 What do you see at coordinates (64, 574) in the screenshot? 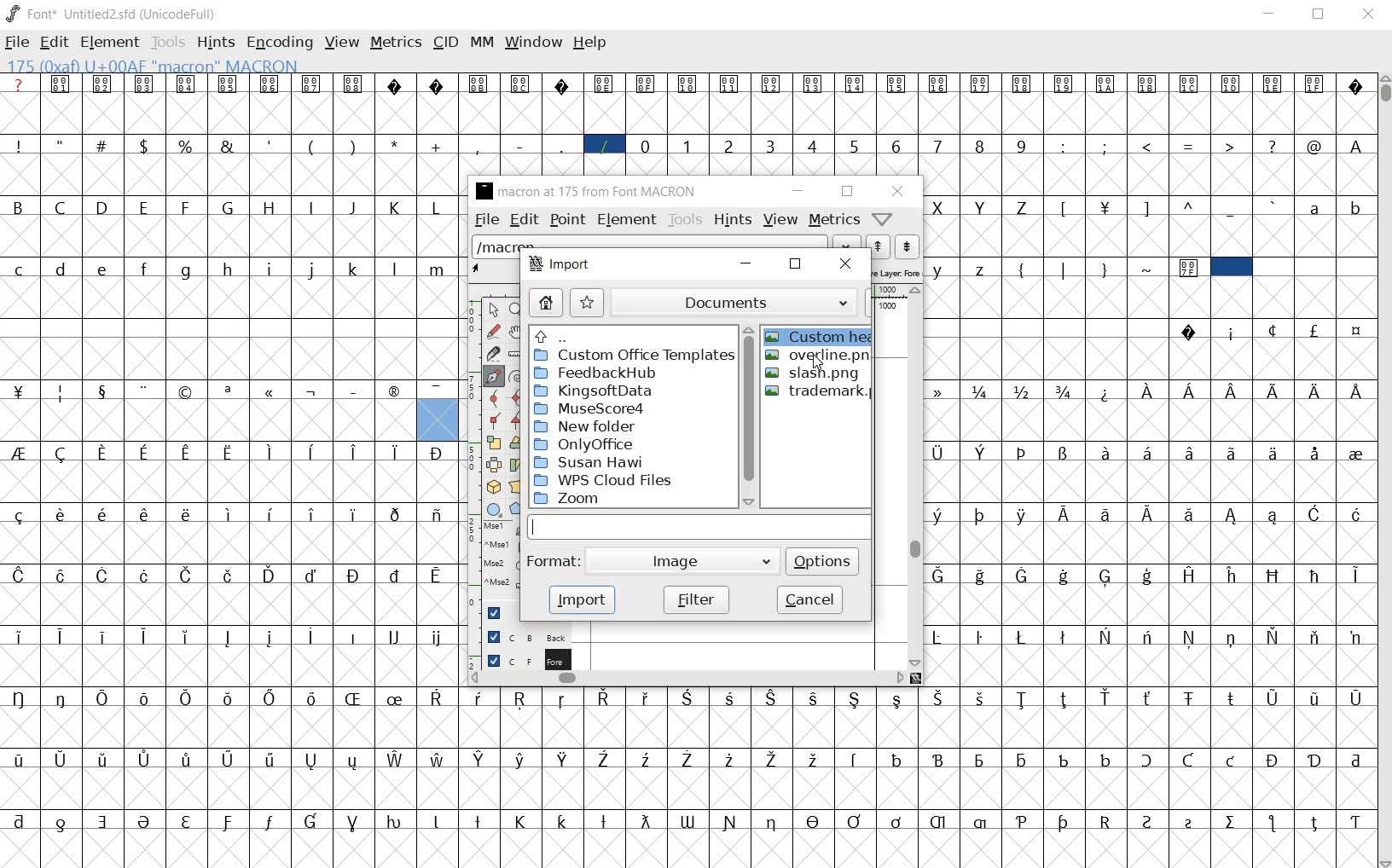
I see `Symbol` at bounding box center [64, 574].